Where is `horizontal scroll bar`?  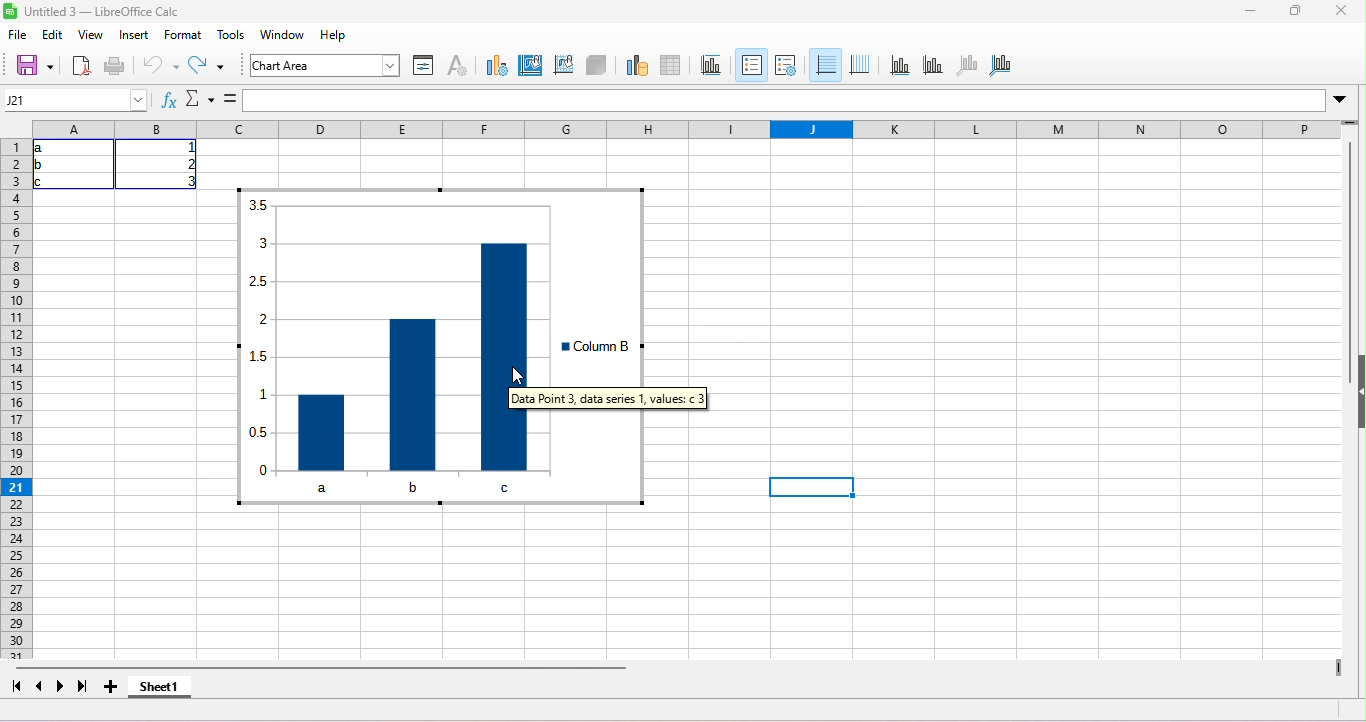
horizontal scroll bar is located at coordinates (329, 668).